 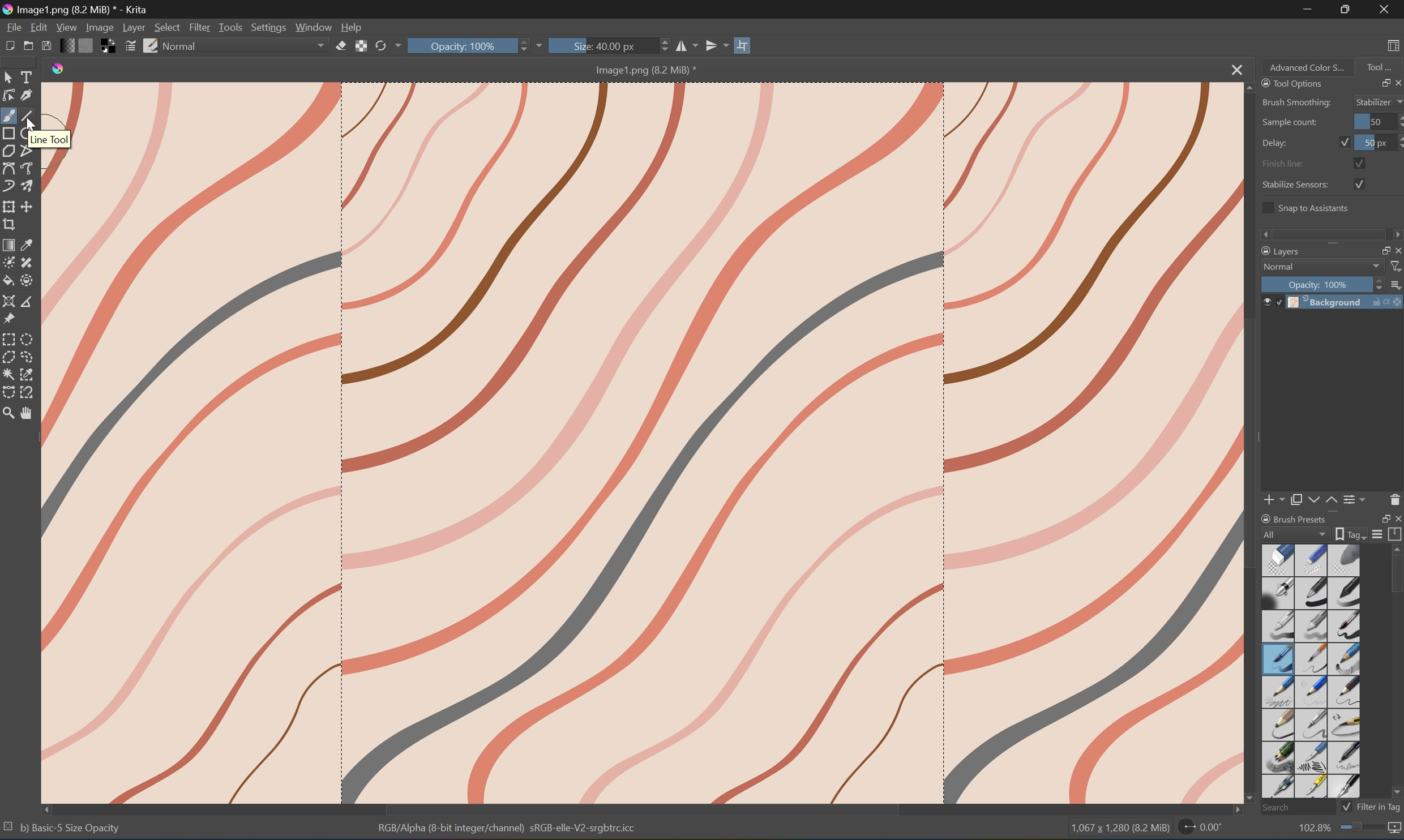 What do you see at coordinates (58, 139) in the screenshot?
I see `line tool` at bounding box center [58, 139].